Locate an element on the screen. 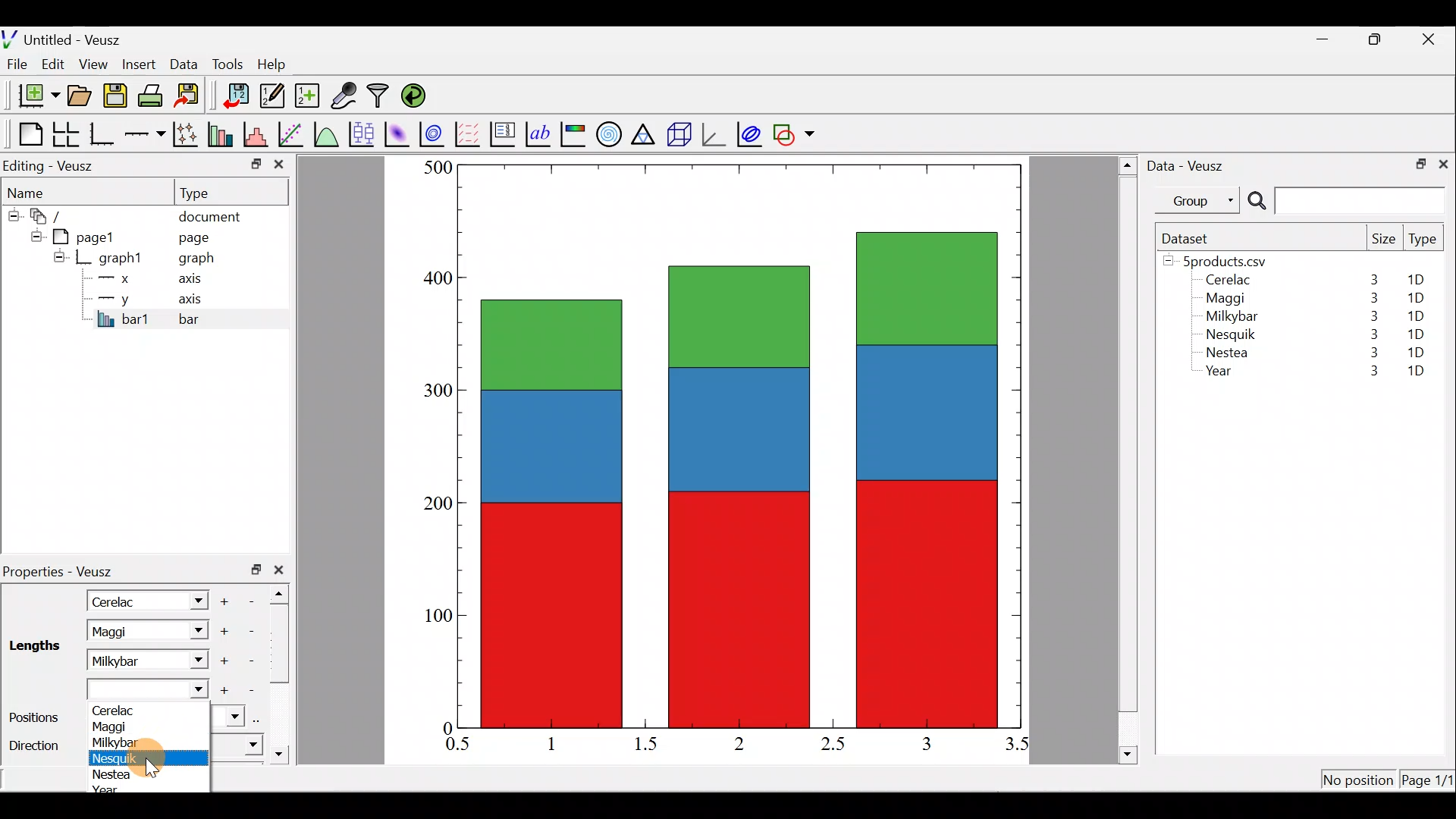  Histogram of a dataset is located at coordinates (260, 135).